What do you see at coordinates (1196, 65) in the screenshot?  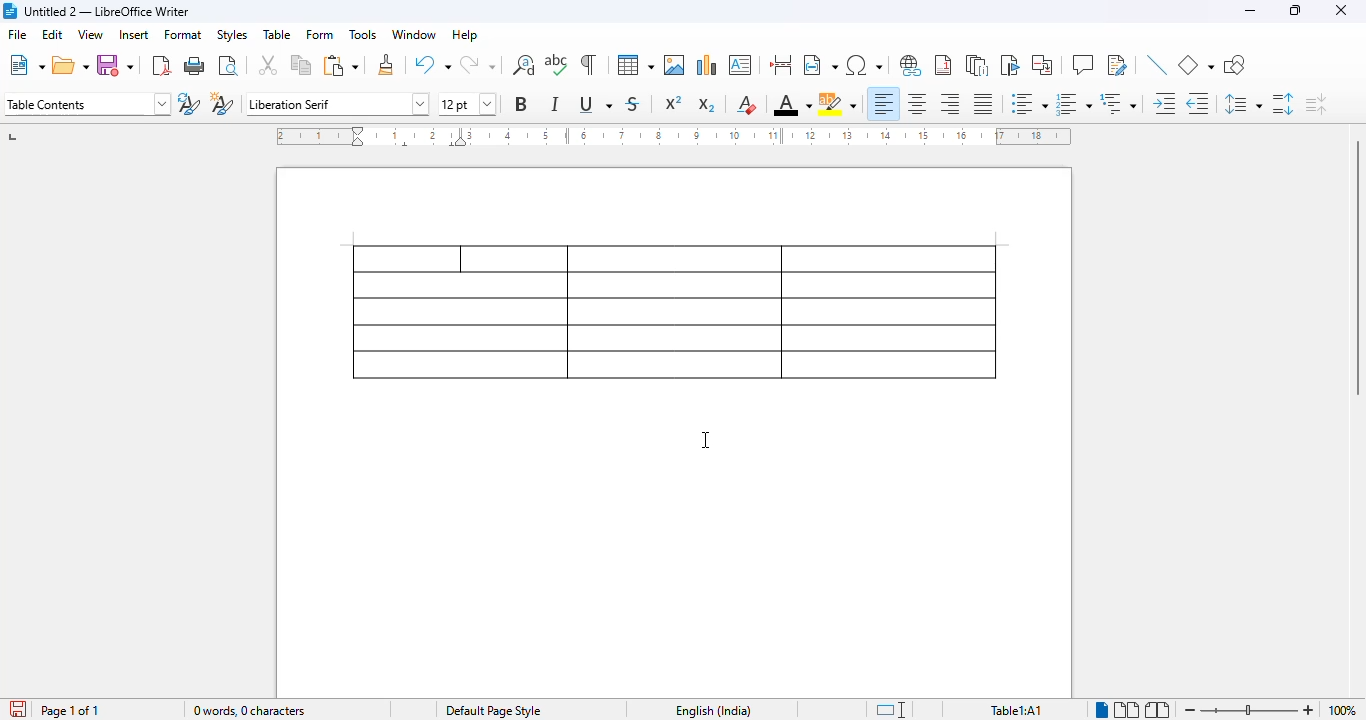 I see `basic shapes` at bounding box center [1196, 65].